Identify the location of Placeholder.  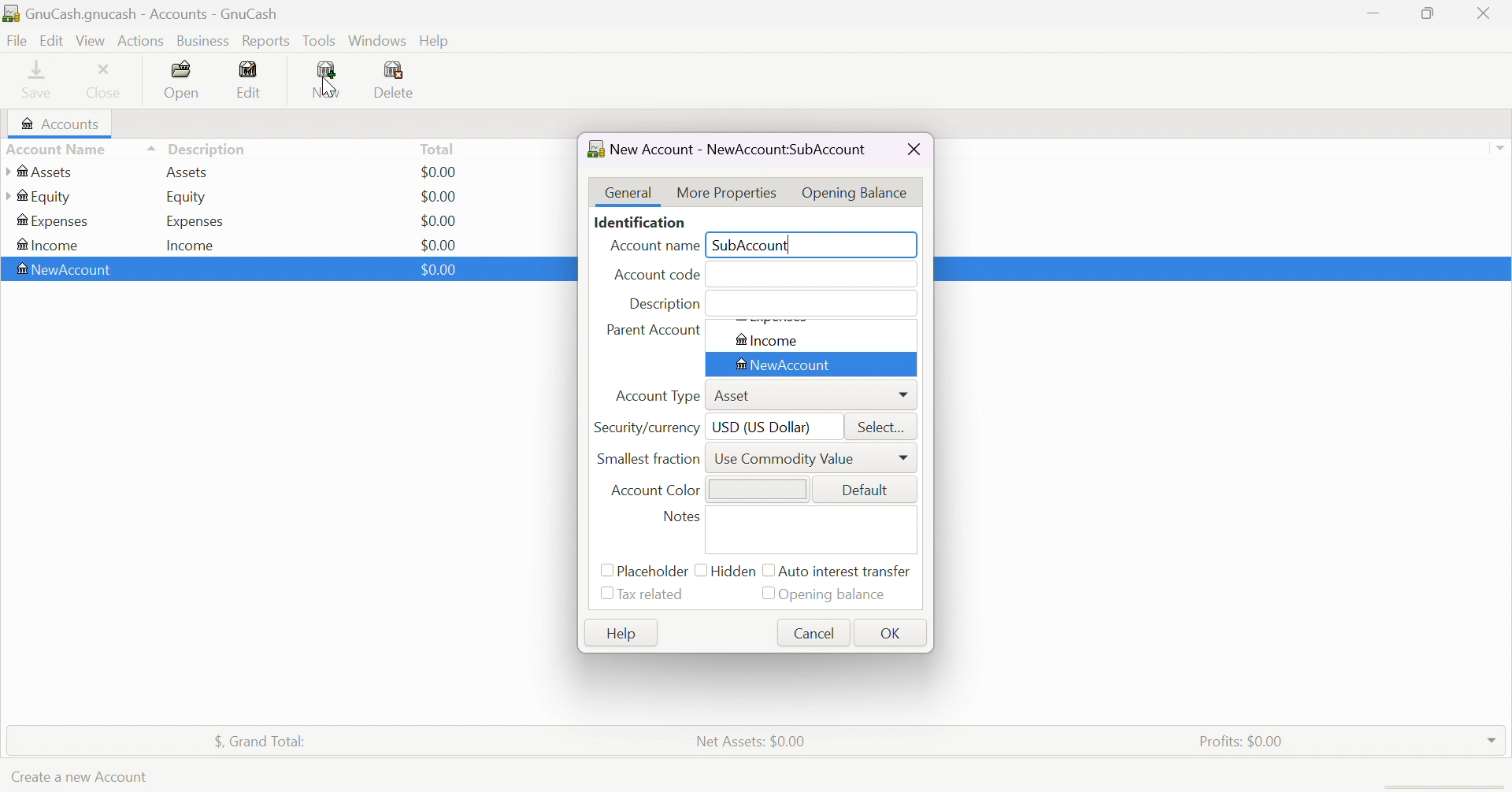
(654, 572).